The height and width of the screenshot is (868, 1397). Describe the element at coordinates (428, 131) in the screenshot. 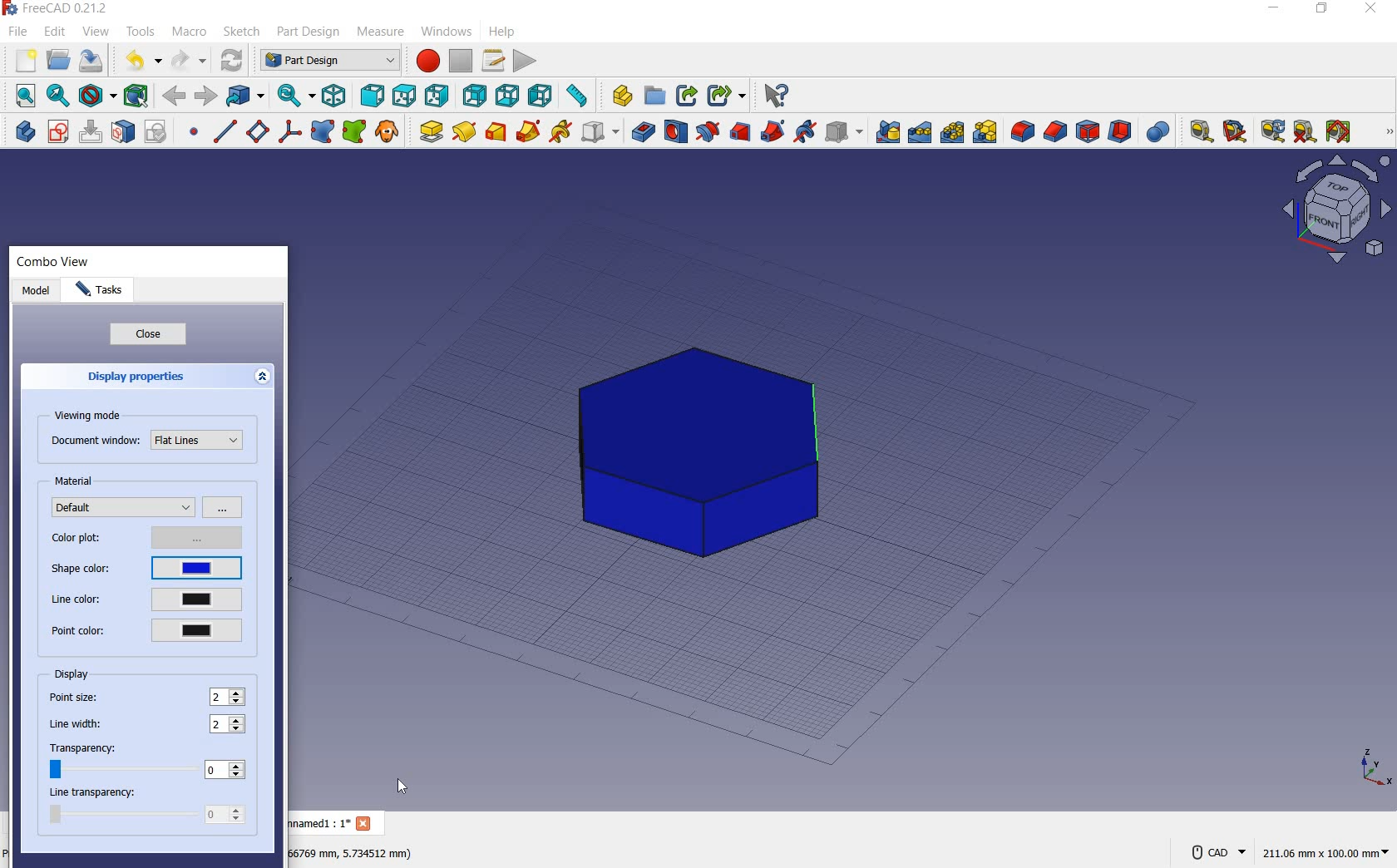

I see `pad` at that location.